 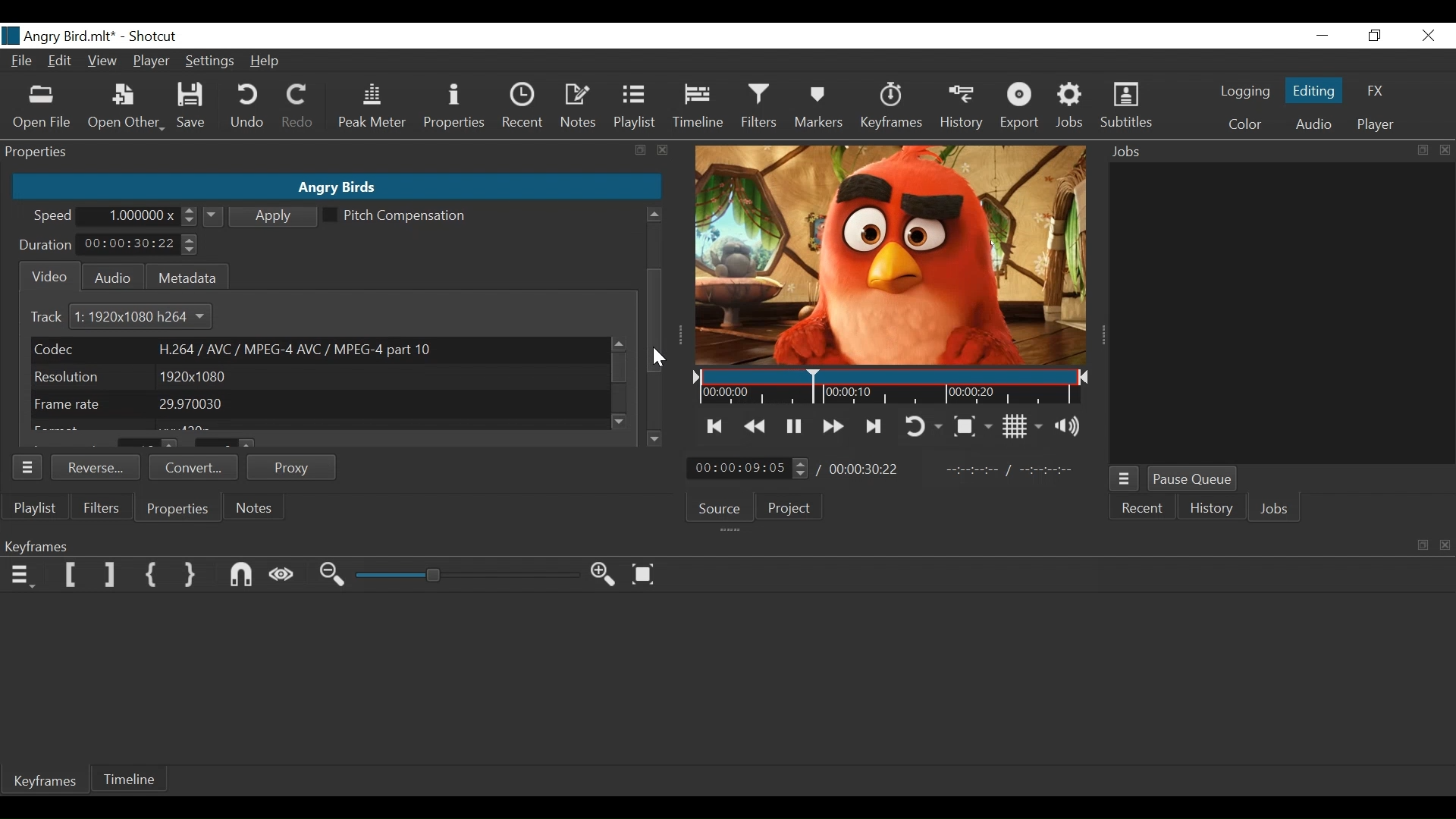 I want to click on History, so click(x=961, y=108).